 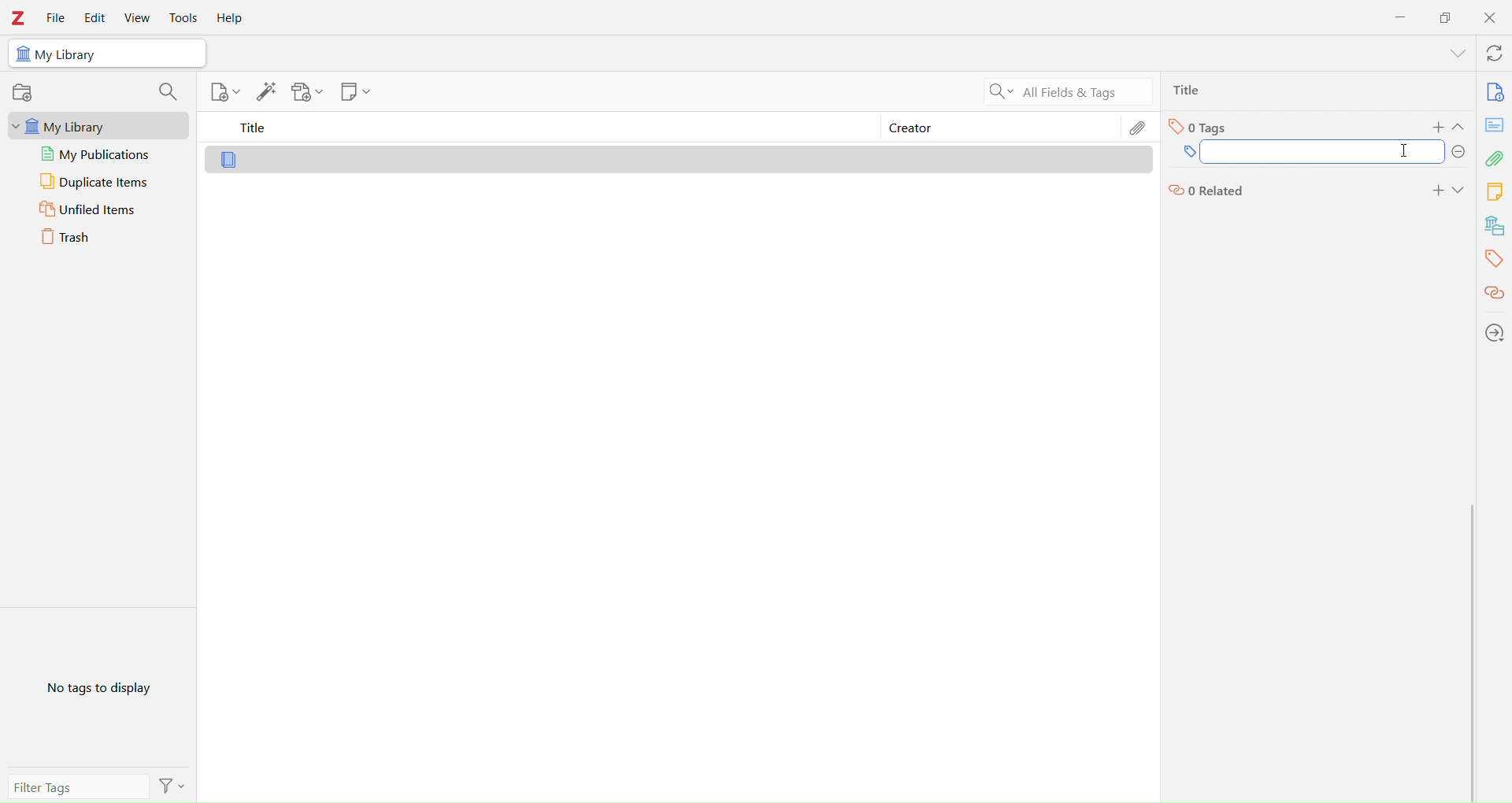 I want to click on File, so click(x=52, y=14).